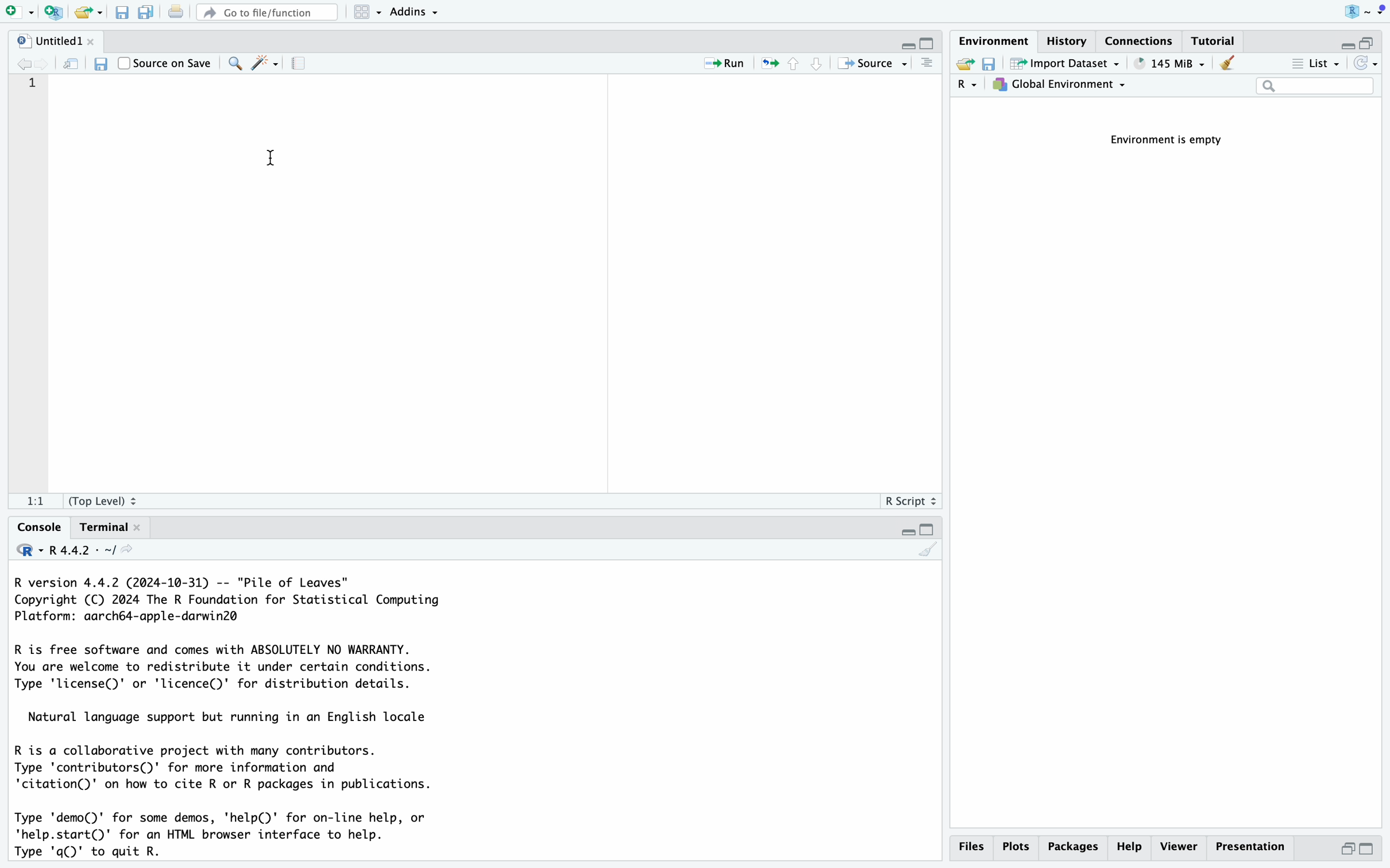  I want to click on maximize, so click(1374, 850).